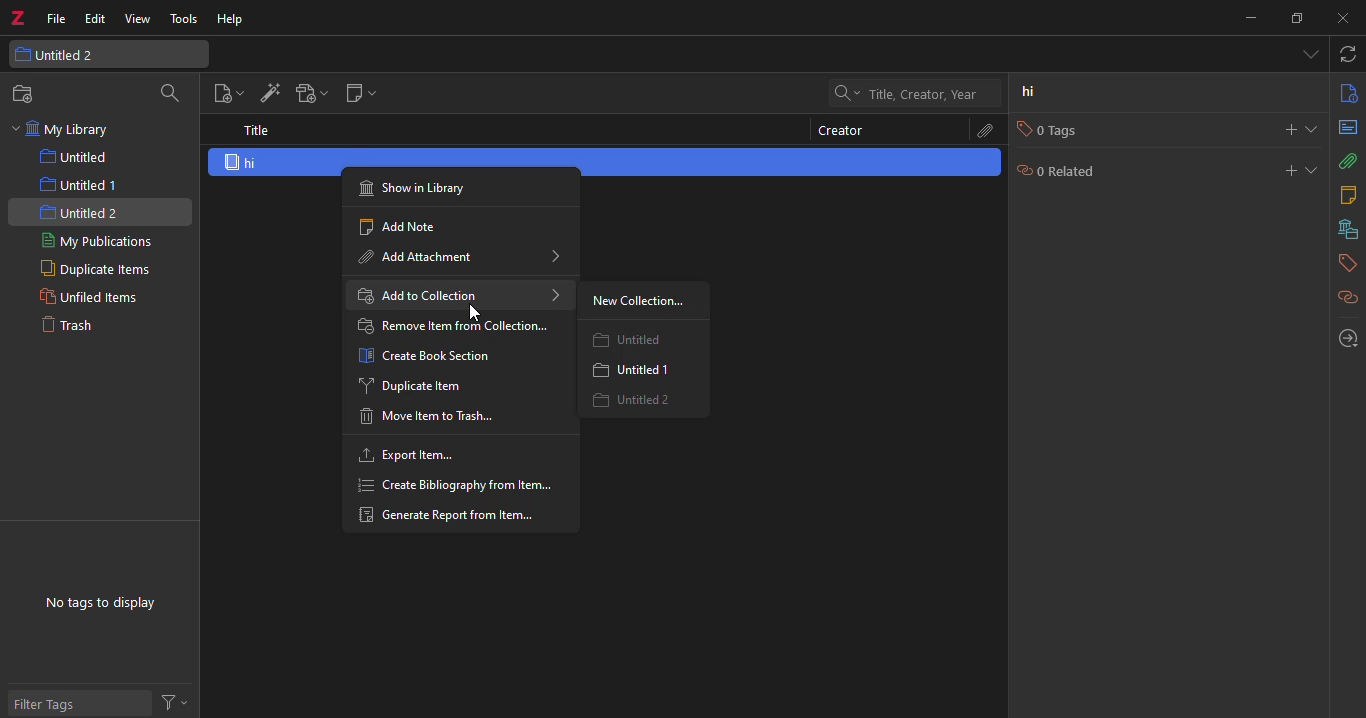  I want to click on 0 related, so click(1058, 169).